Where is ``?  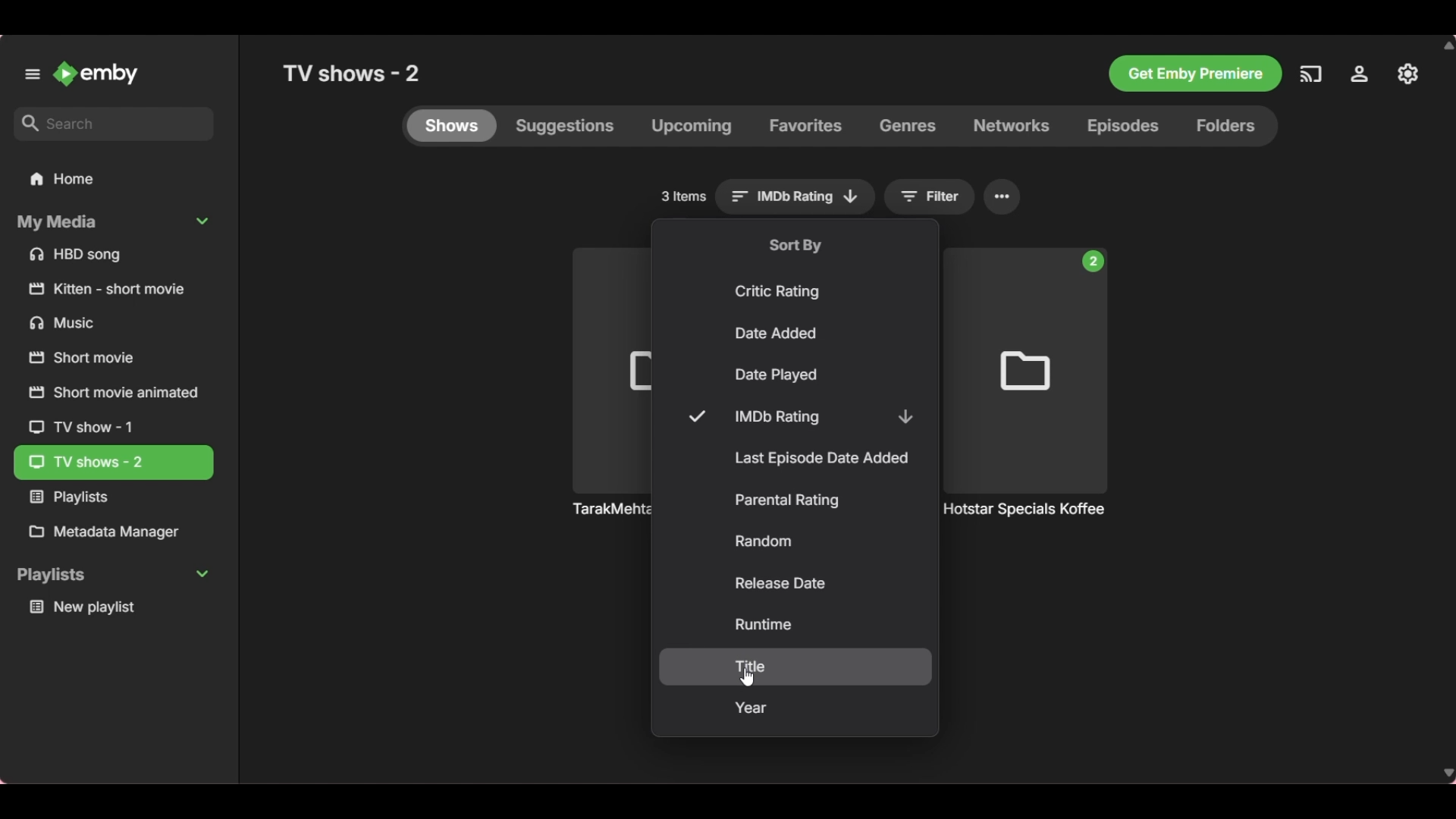
 is located at coordinates (607, 507).